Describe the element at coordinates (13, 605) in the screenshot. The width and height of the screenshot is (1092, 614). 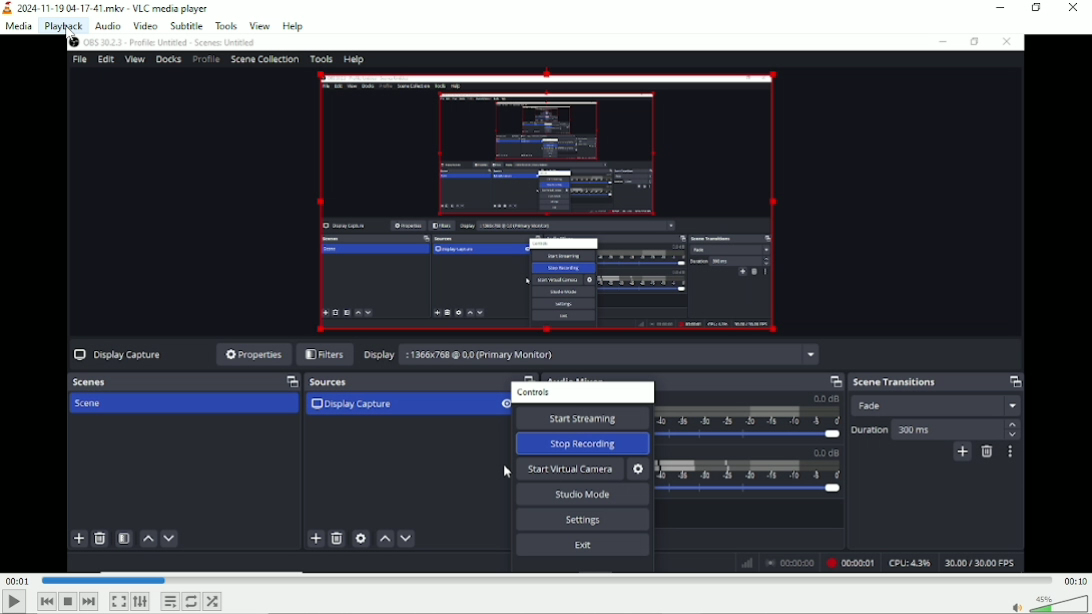
I see `Play` at that location.